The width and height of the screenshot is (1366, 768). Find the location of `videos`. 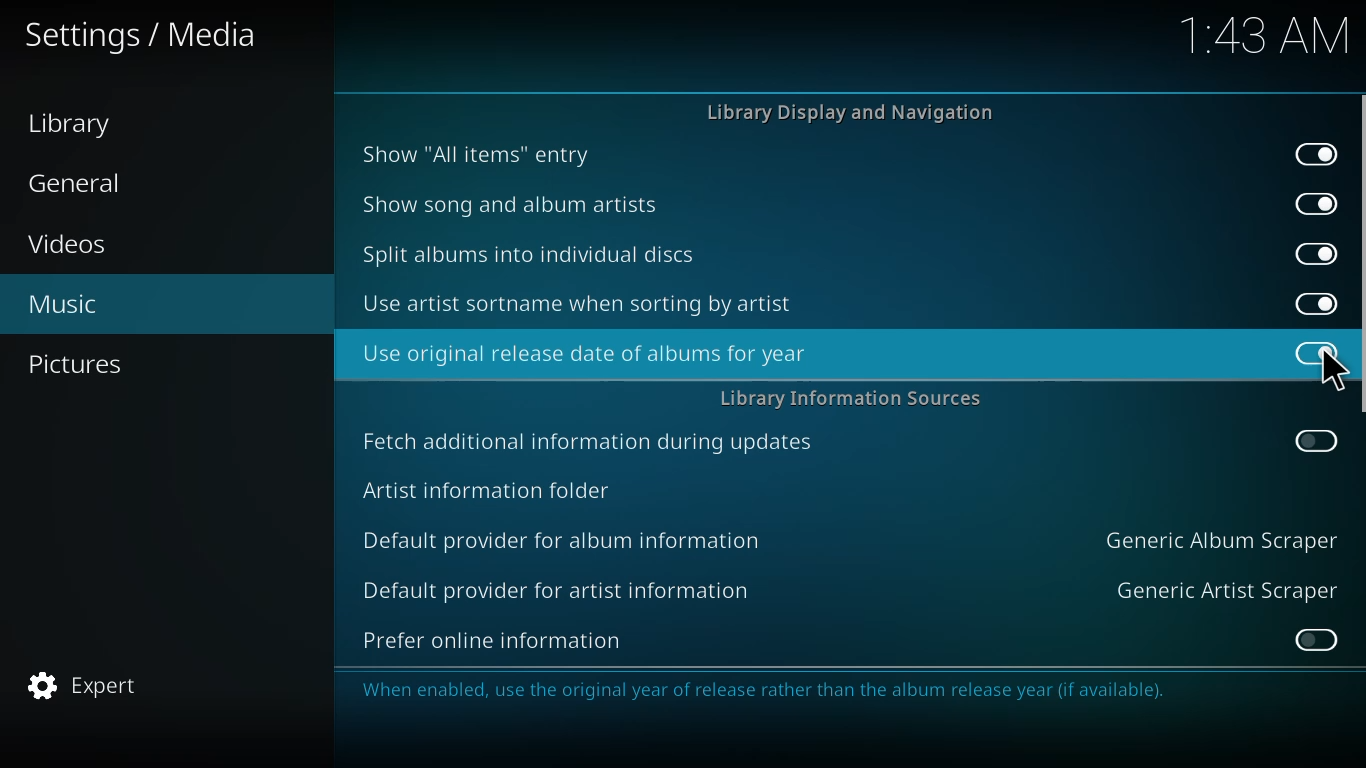

videos is located at coordinates (69, 245).